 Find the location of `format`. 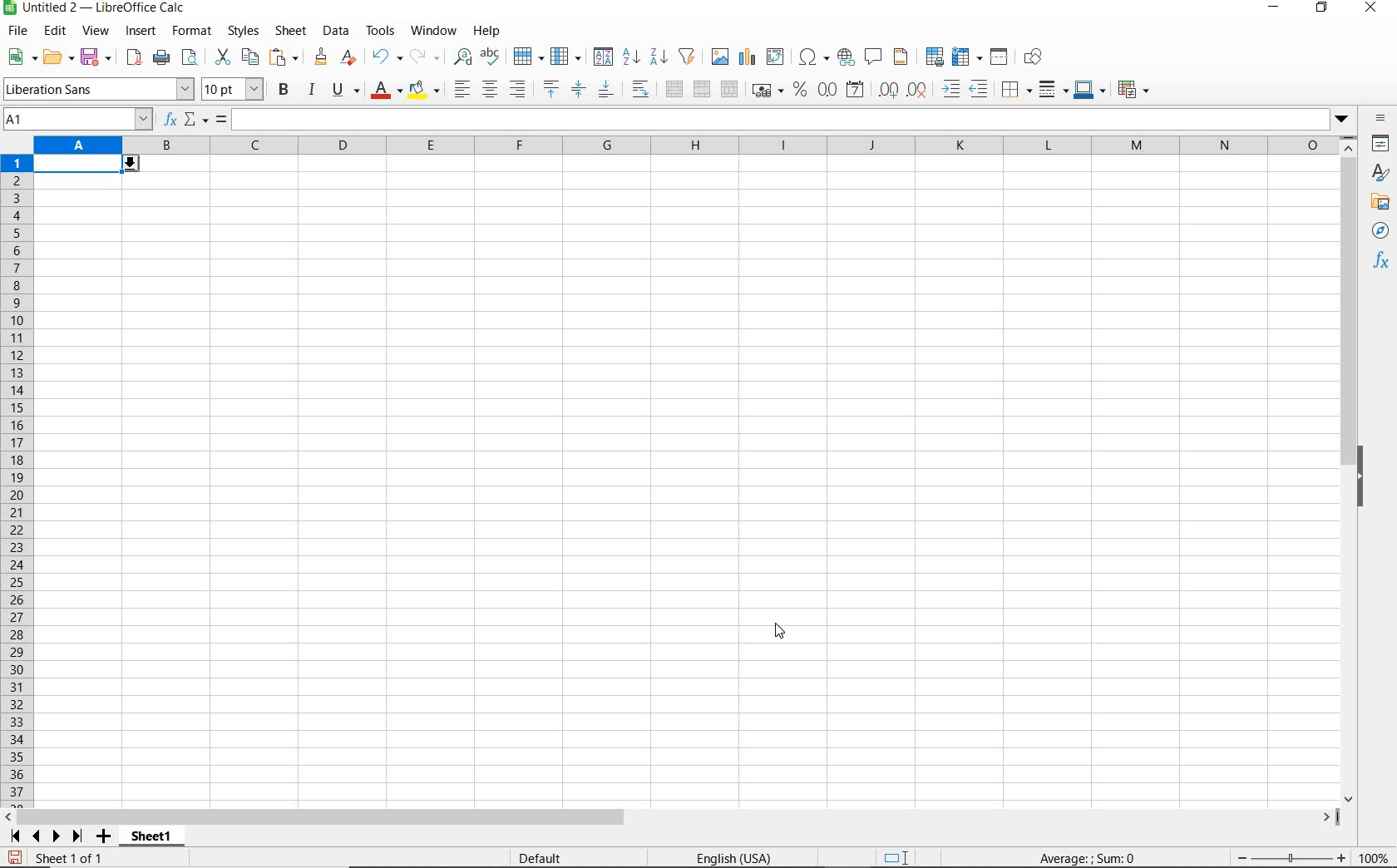

format is located at coordinates (190, 31).